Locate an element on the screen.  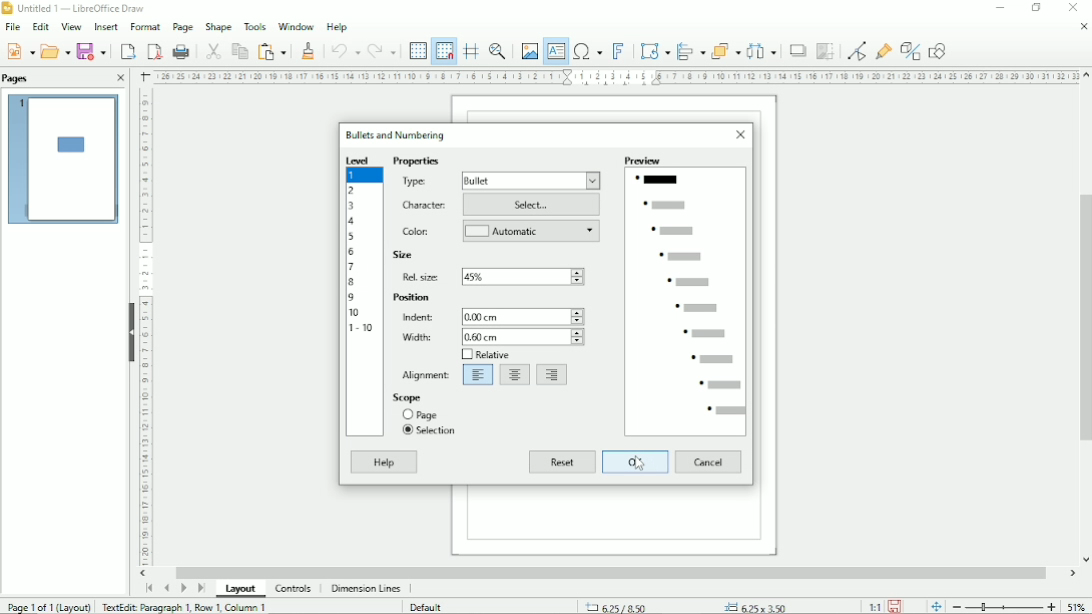
center alignment is located at coordinates (515, 375).